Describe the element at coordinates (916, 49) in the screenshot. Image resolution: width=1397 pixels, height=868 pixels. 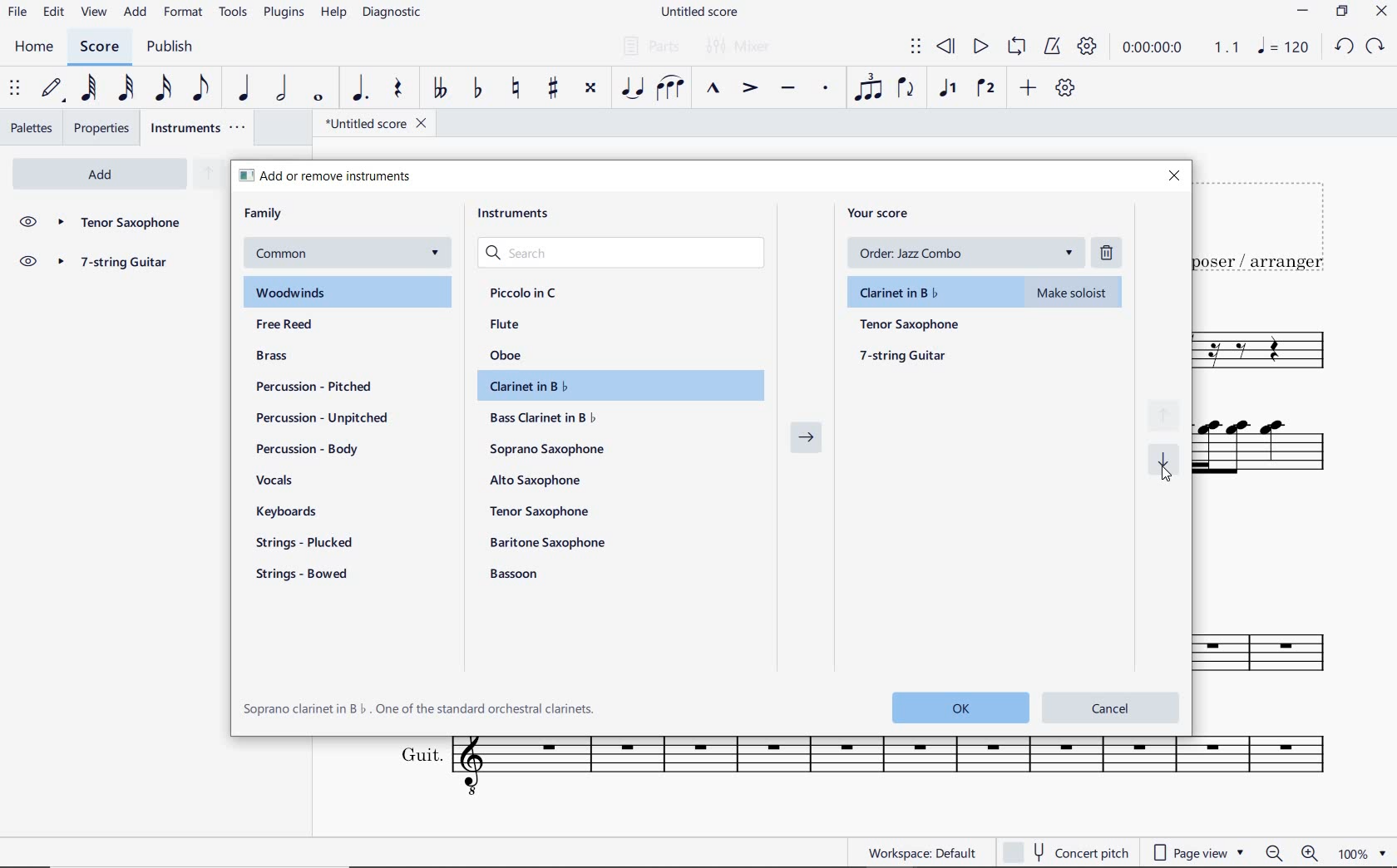
I see `SELECT TO MOVE` at that location.